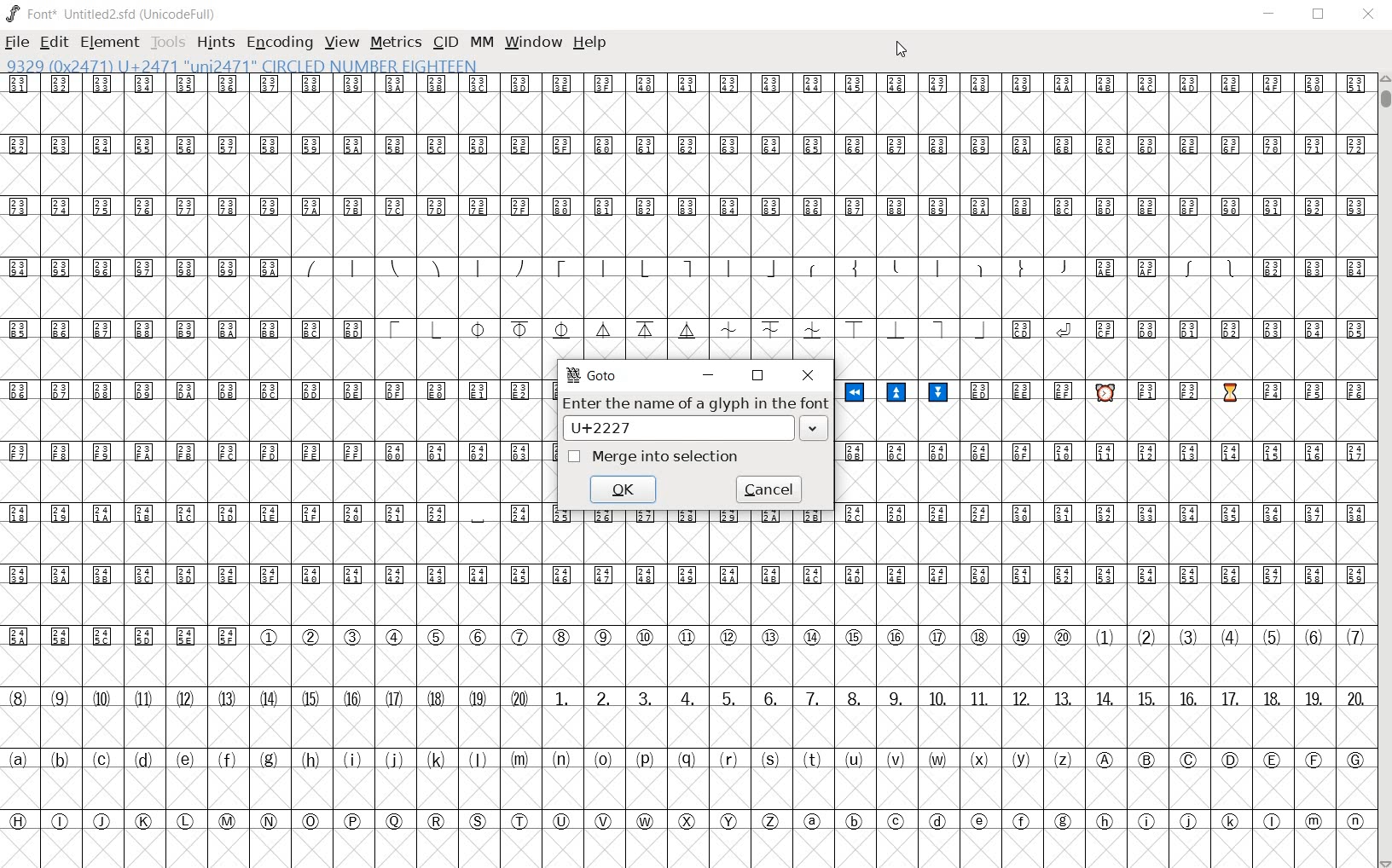 The height and width of the screenshot is (868, 1392). What do you see at coordinates (169, 42) in the screenshot?
I see `tools` at bounding box center [169, 42].